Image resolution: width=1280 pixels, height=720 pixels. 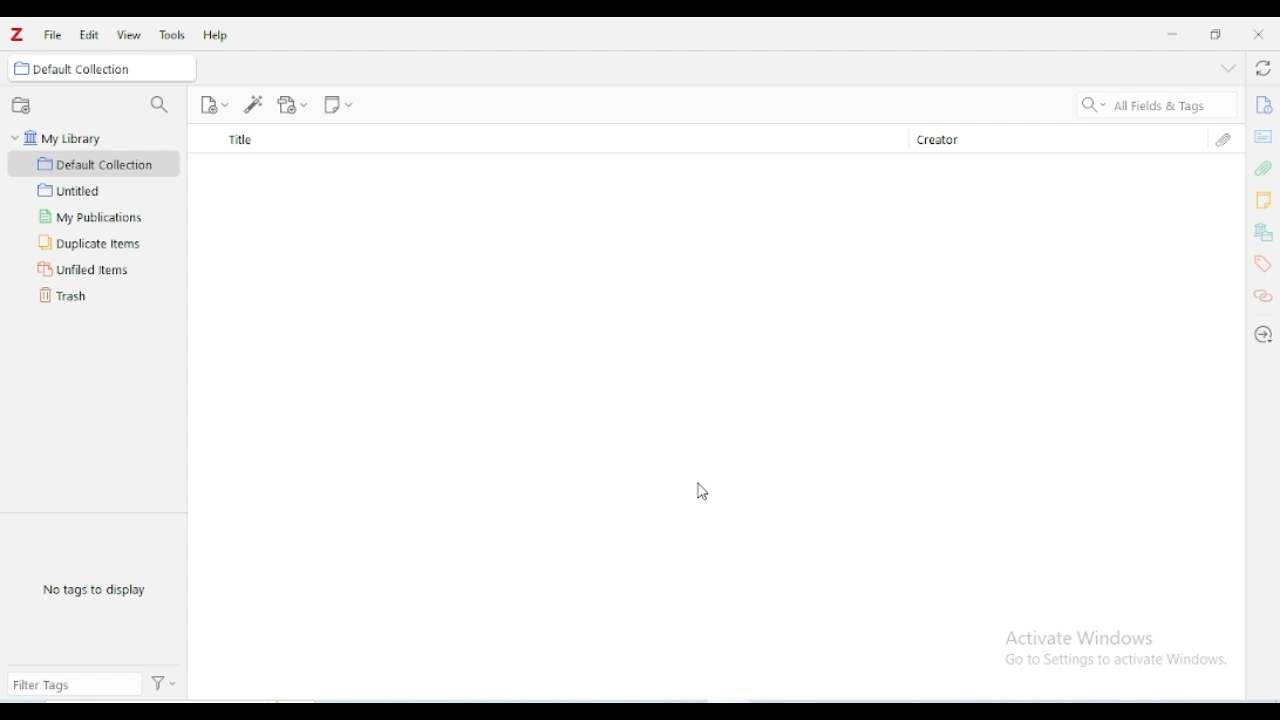 I want to click on view, so click(x=129, y=35).